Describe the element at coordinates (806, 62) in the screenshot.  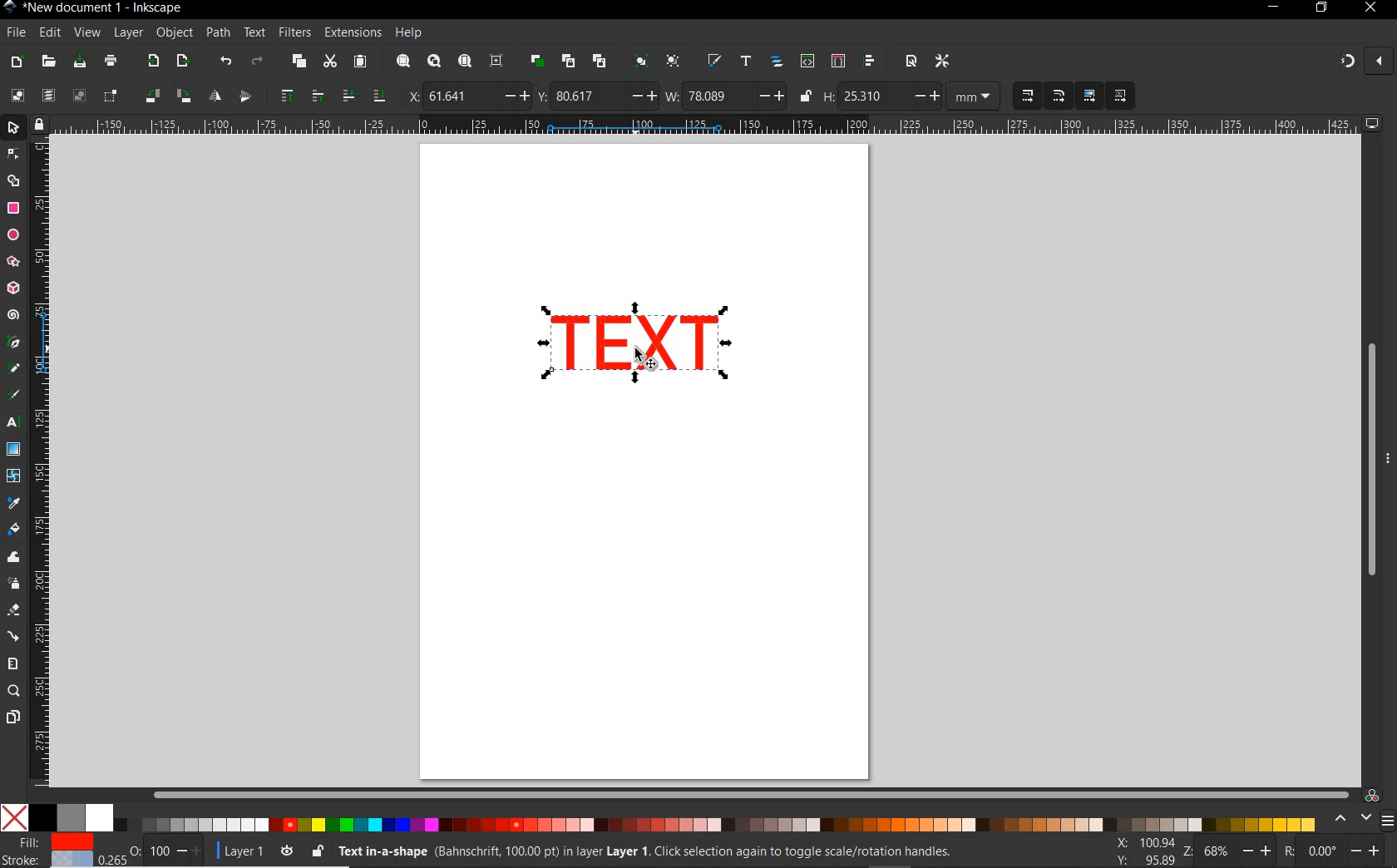
I see `open xml editor` at that location.